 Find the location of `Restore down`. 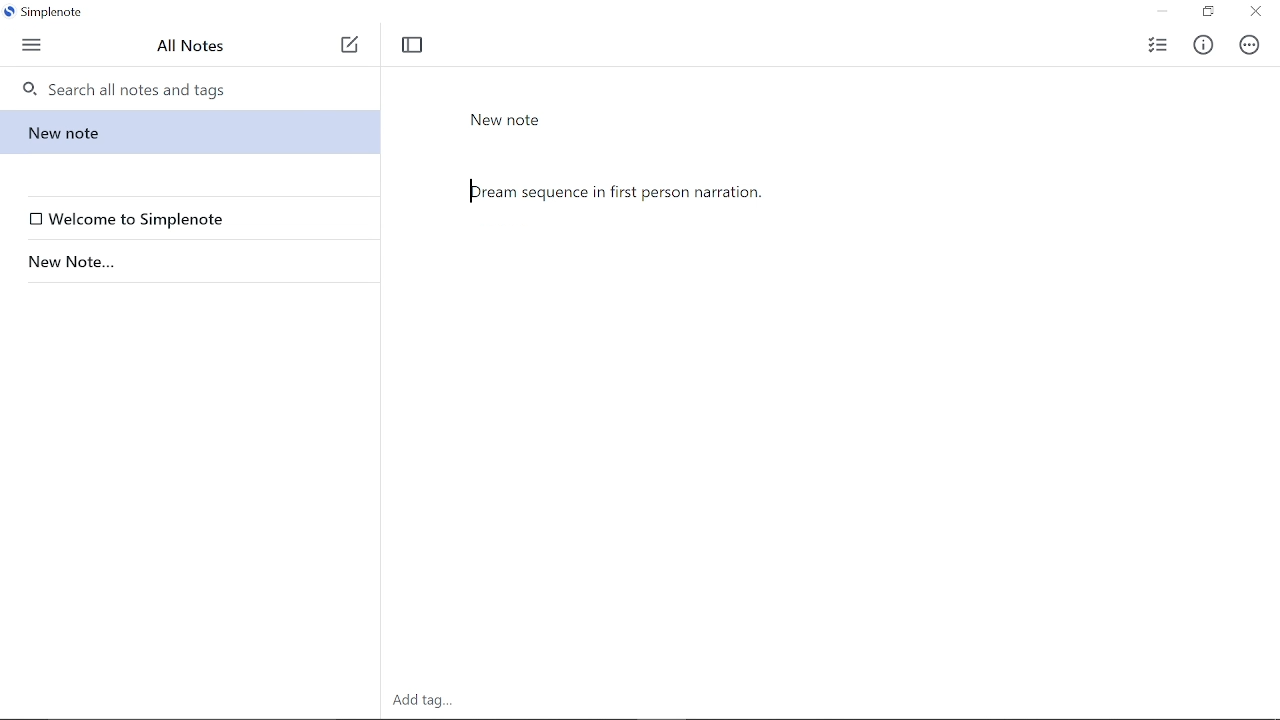

Restore down is located at coordinates (1207, 13).